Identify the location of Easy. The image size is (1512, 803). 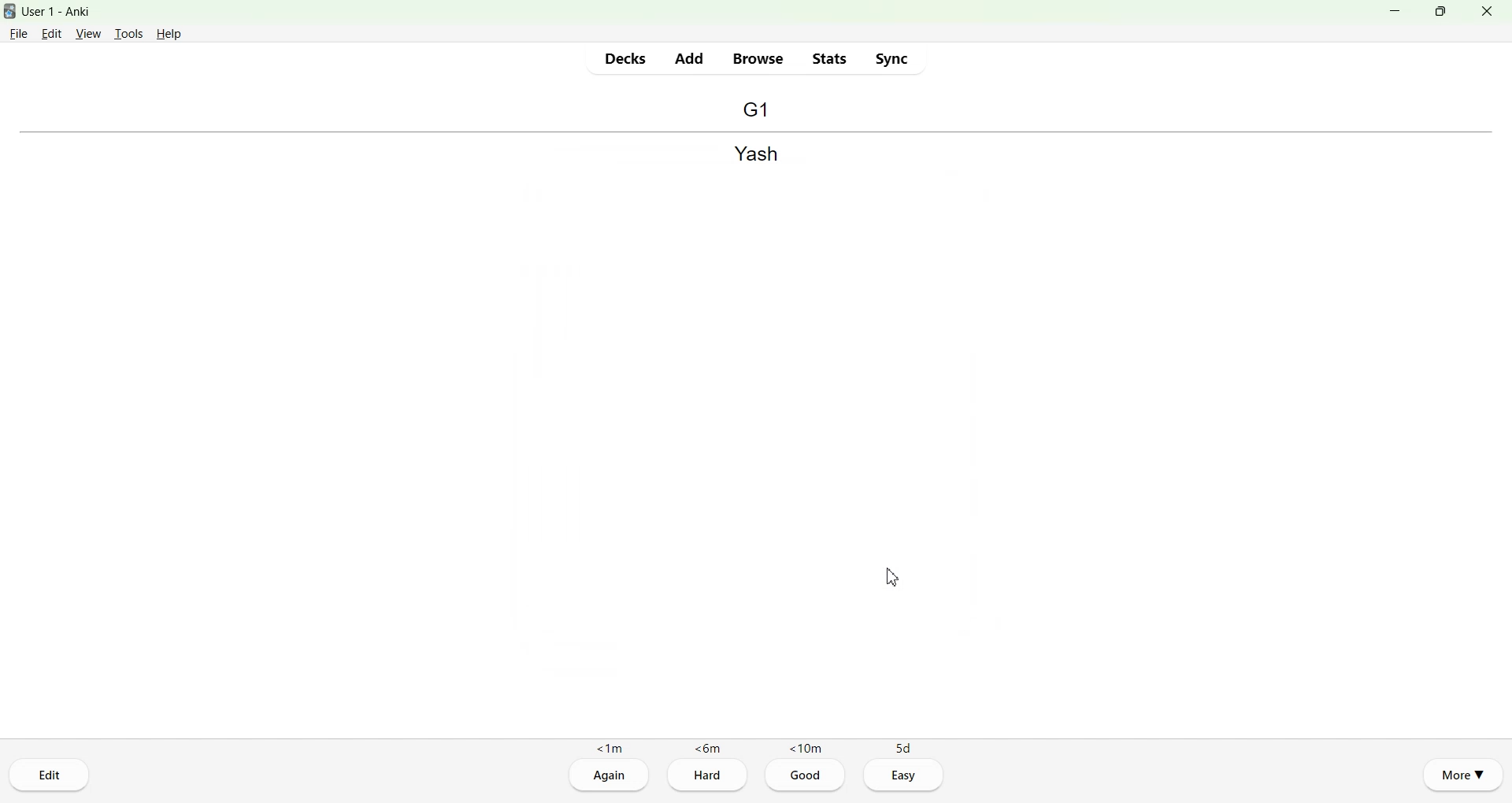
(905, 775).